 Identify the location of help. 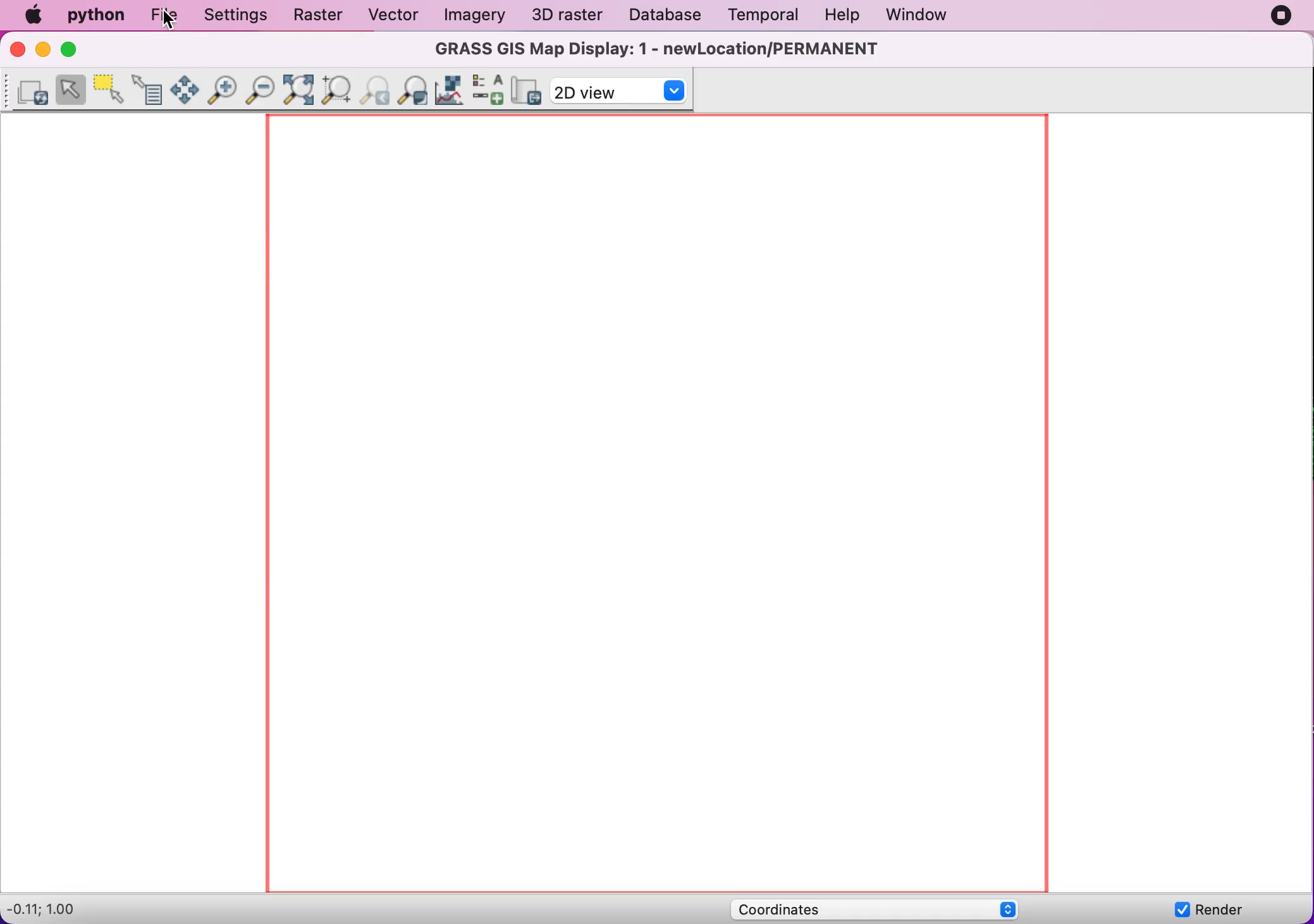
(849, 14).